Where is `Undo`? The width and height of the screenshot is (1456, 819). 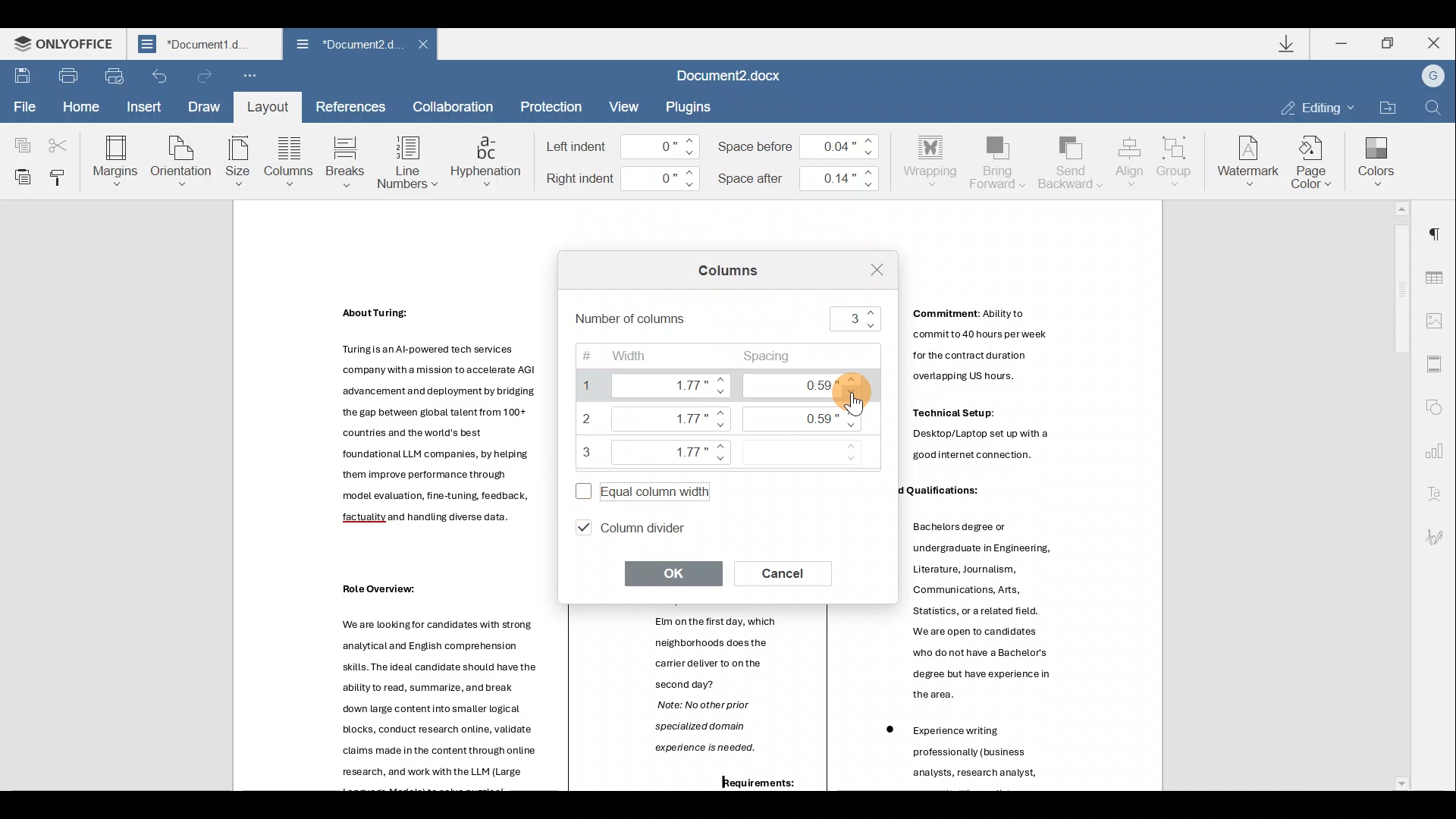 Undo is located at coordinates (159, 76).